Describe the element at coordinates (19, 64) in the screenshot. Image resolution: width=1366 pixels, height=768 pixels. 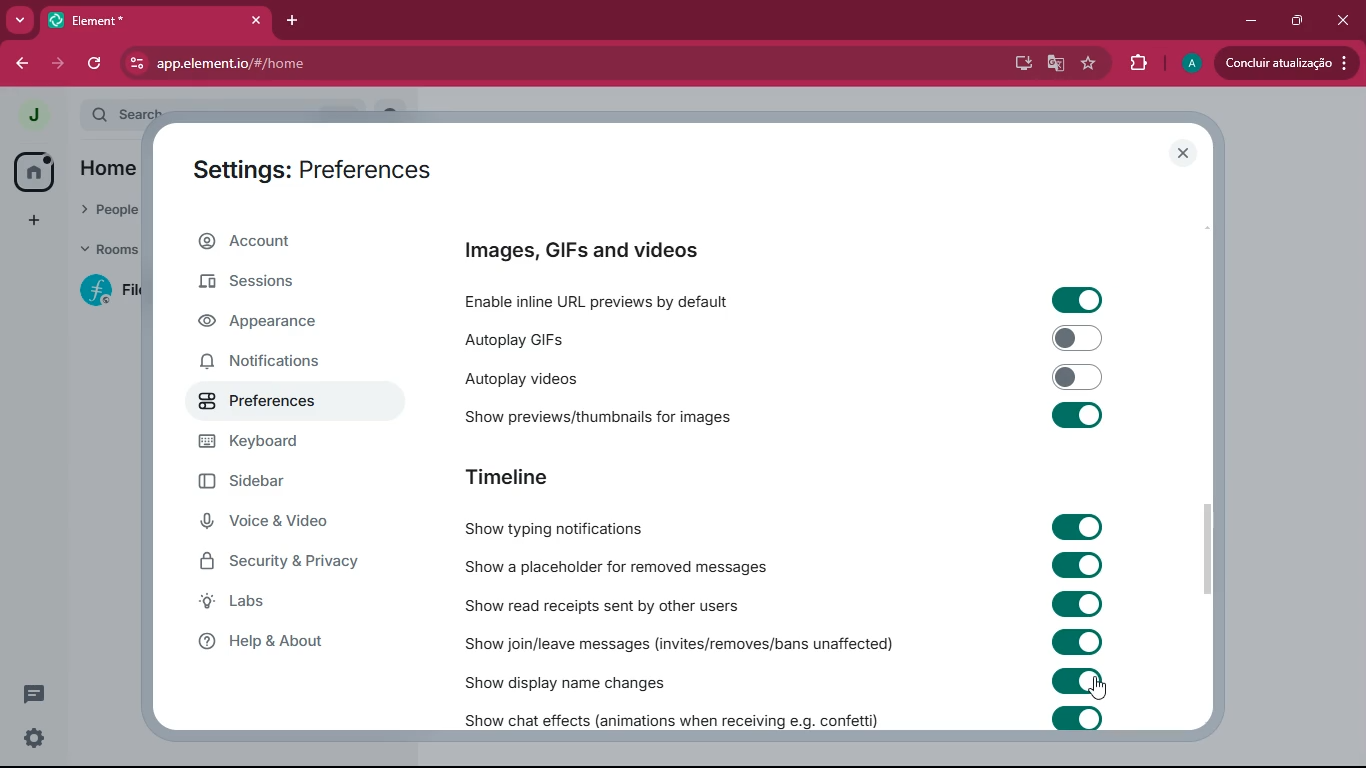
I see `back` at that location.